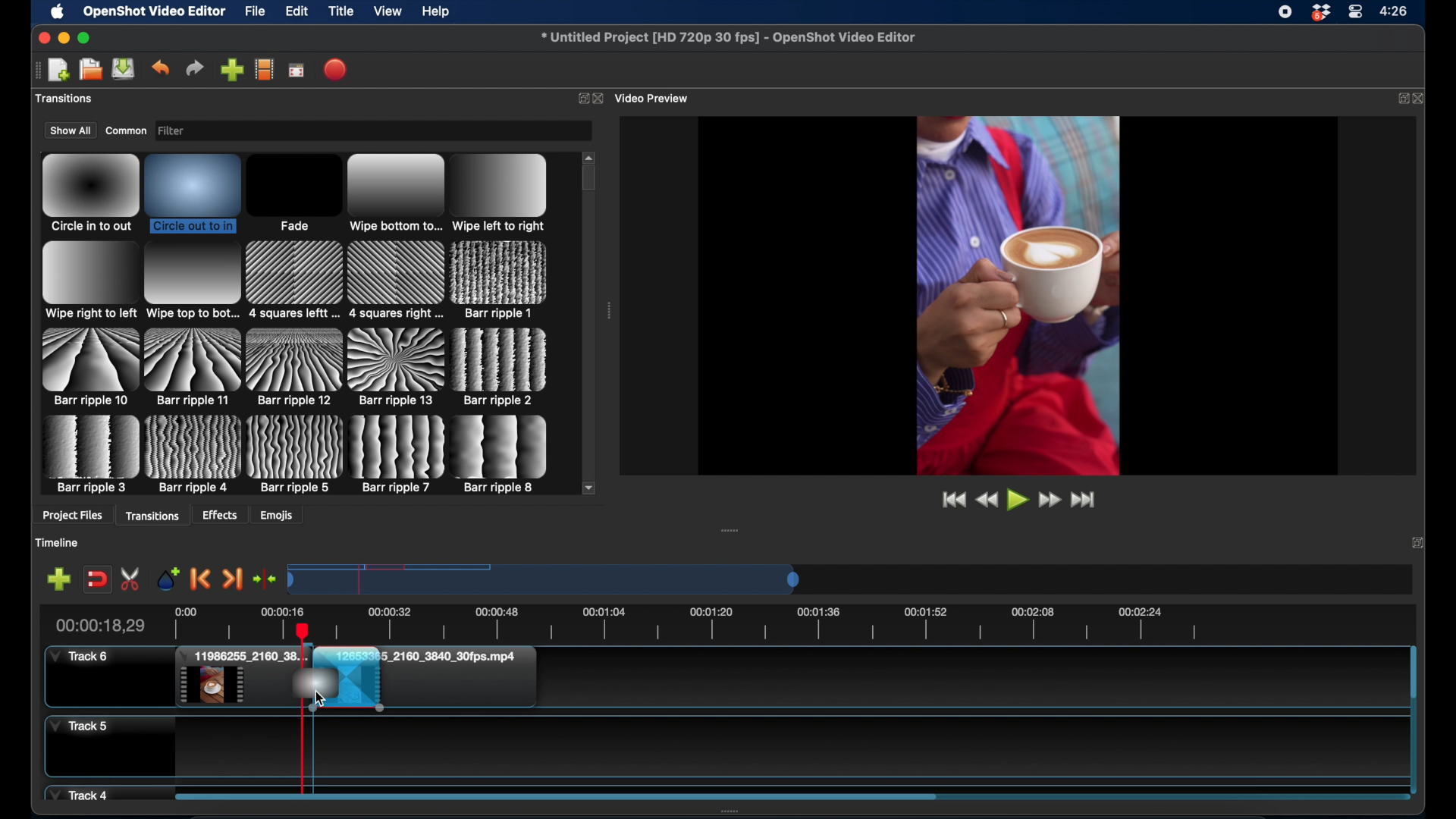  What do you see at coordinates (90, 454) in the screenshot?
I see `transition` at bounding box center [90, 454].